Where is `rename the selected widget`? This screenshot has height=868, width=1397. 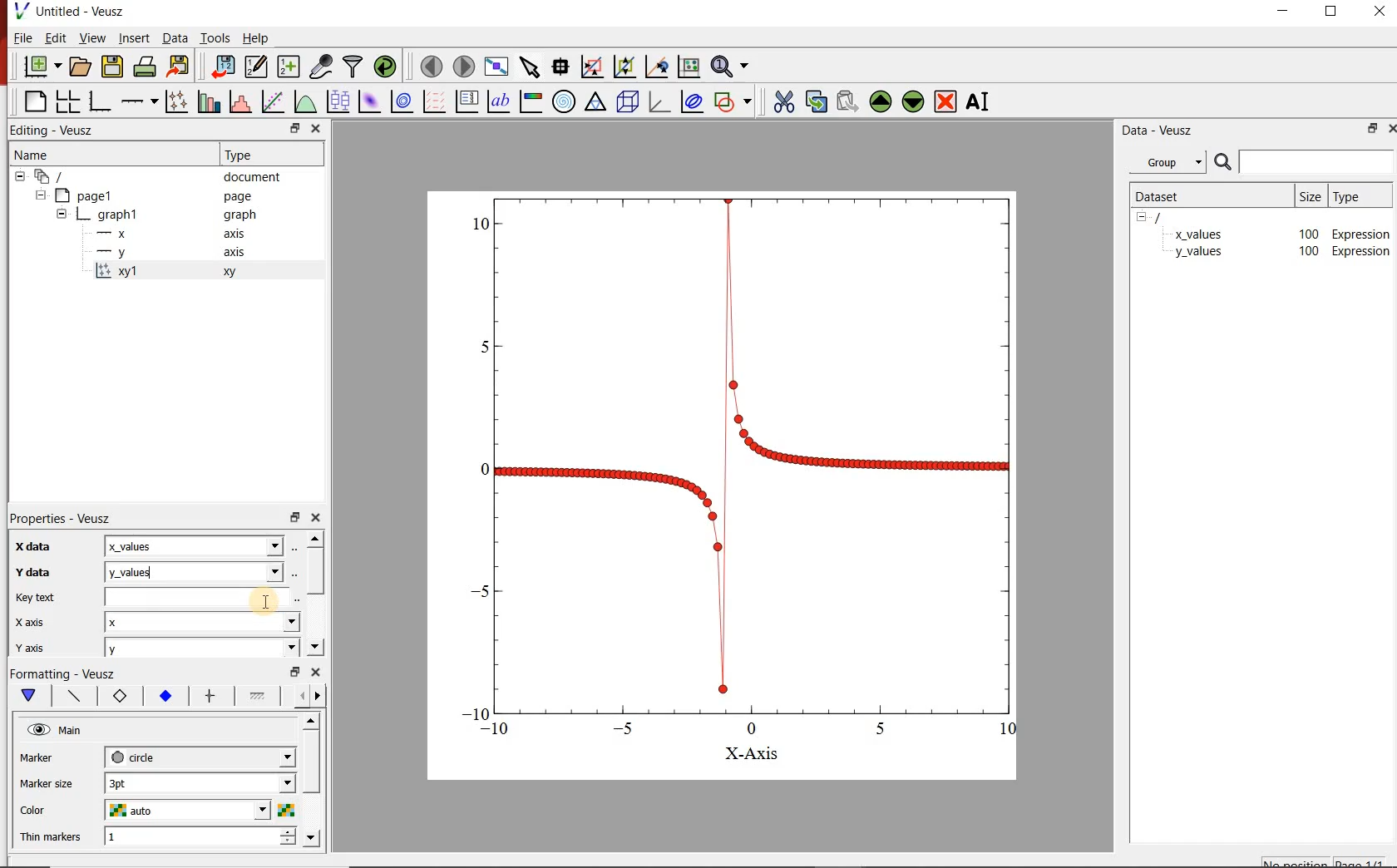
rename the selected widget is located at coordinates (980, 104).